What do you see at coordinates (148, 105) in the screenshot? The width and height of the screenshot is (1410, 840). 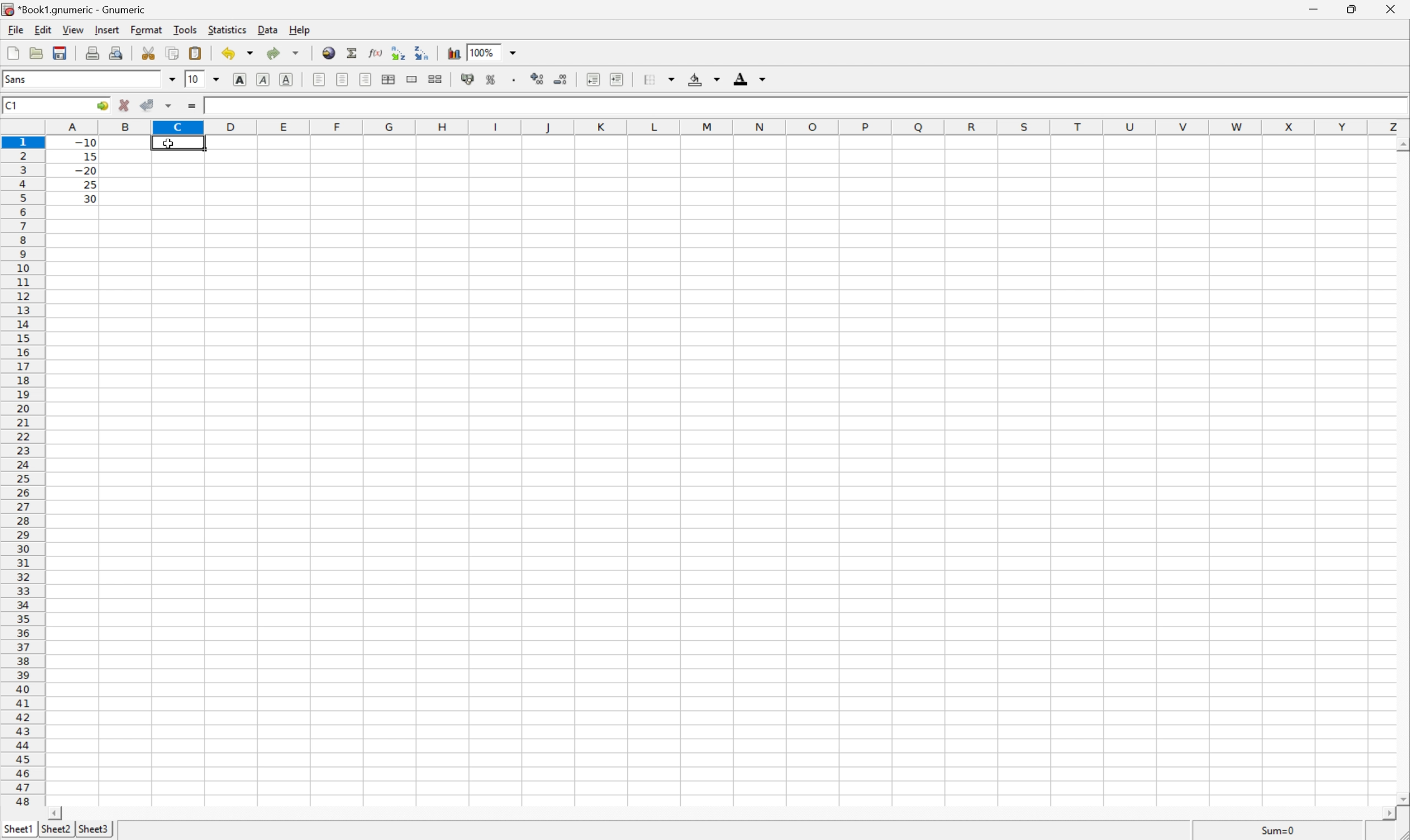 I see `Accept change` at bounding box center [148, 105].